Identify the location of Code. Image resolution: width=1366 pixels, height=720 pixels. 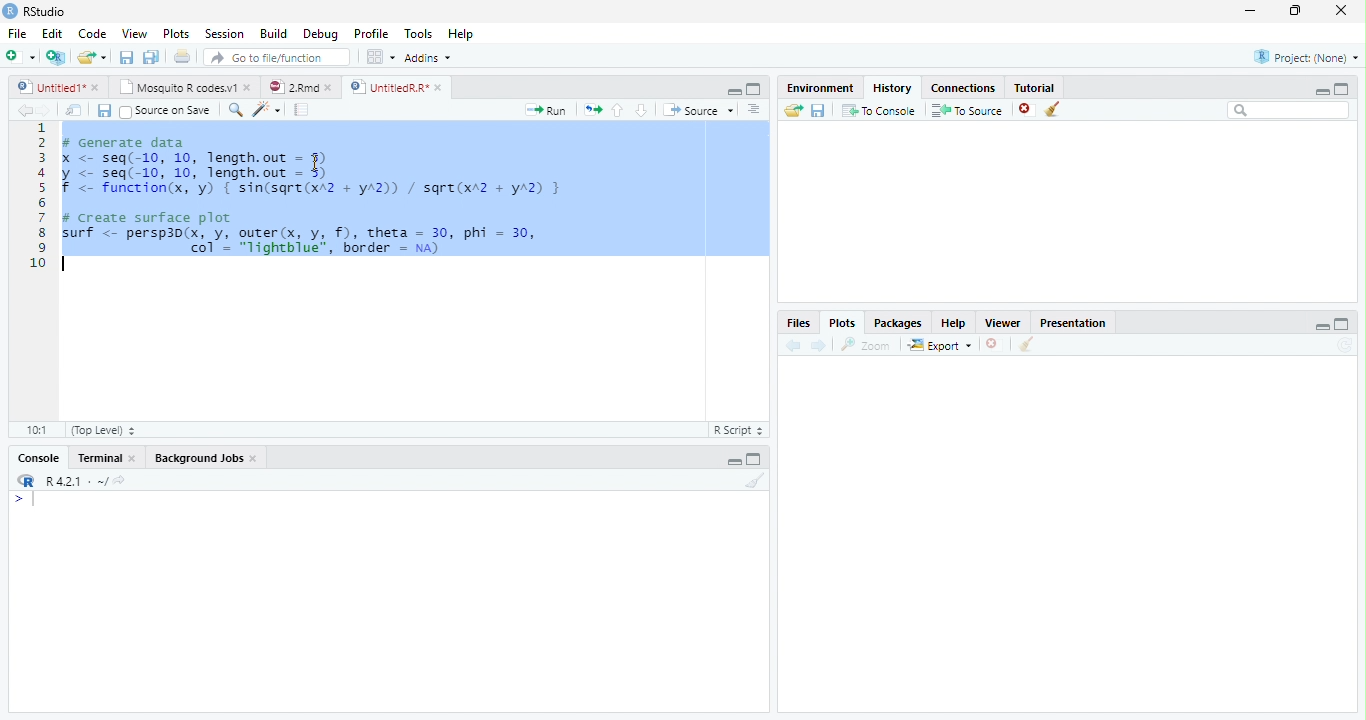
(91, 33).